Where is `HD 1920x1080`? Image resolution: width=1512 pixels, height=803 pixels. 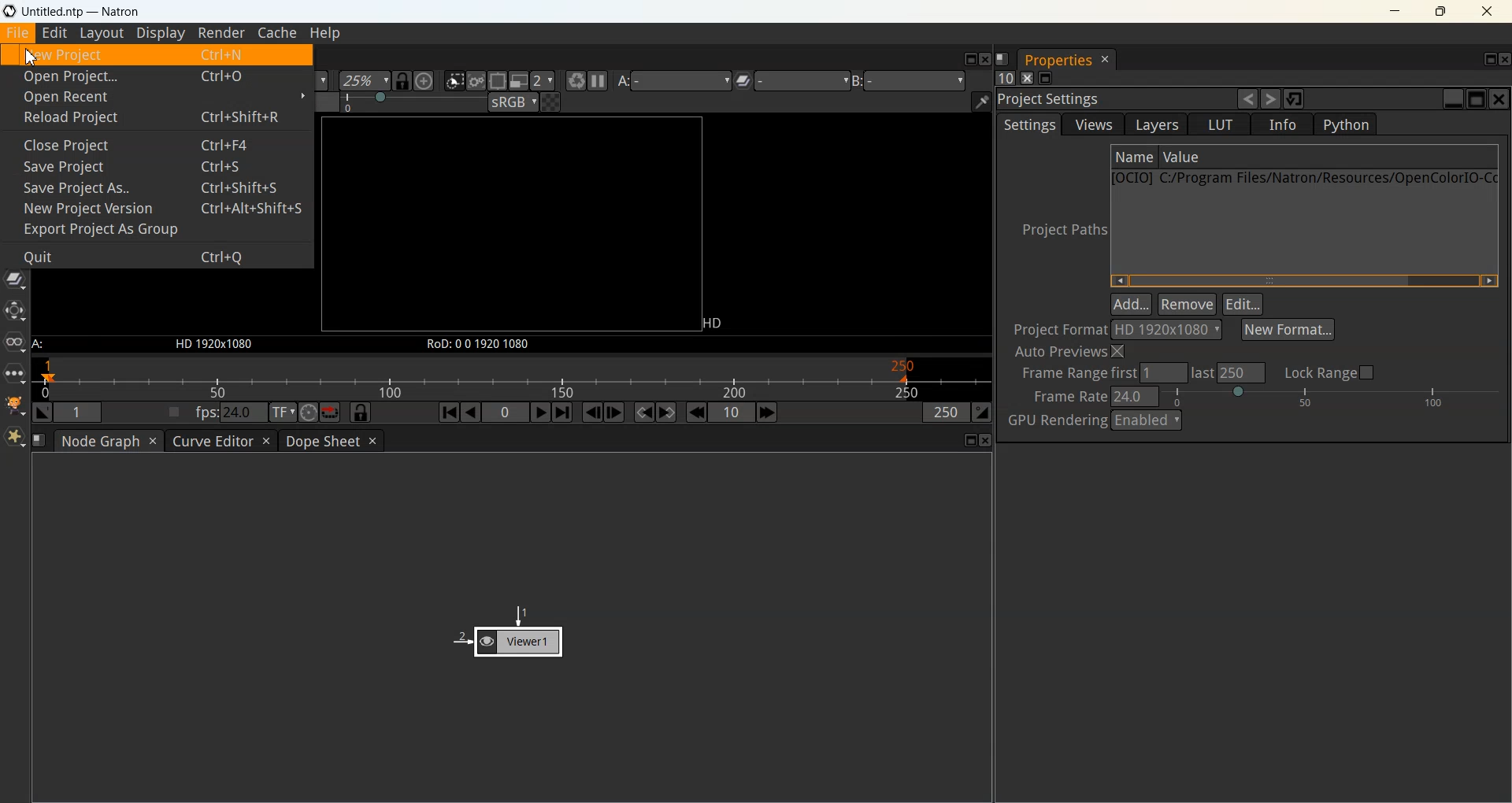 HD 1920x1080 is located at coordinates (217, 346).